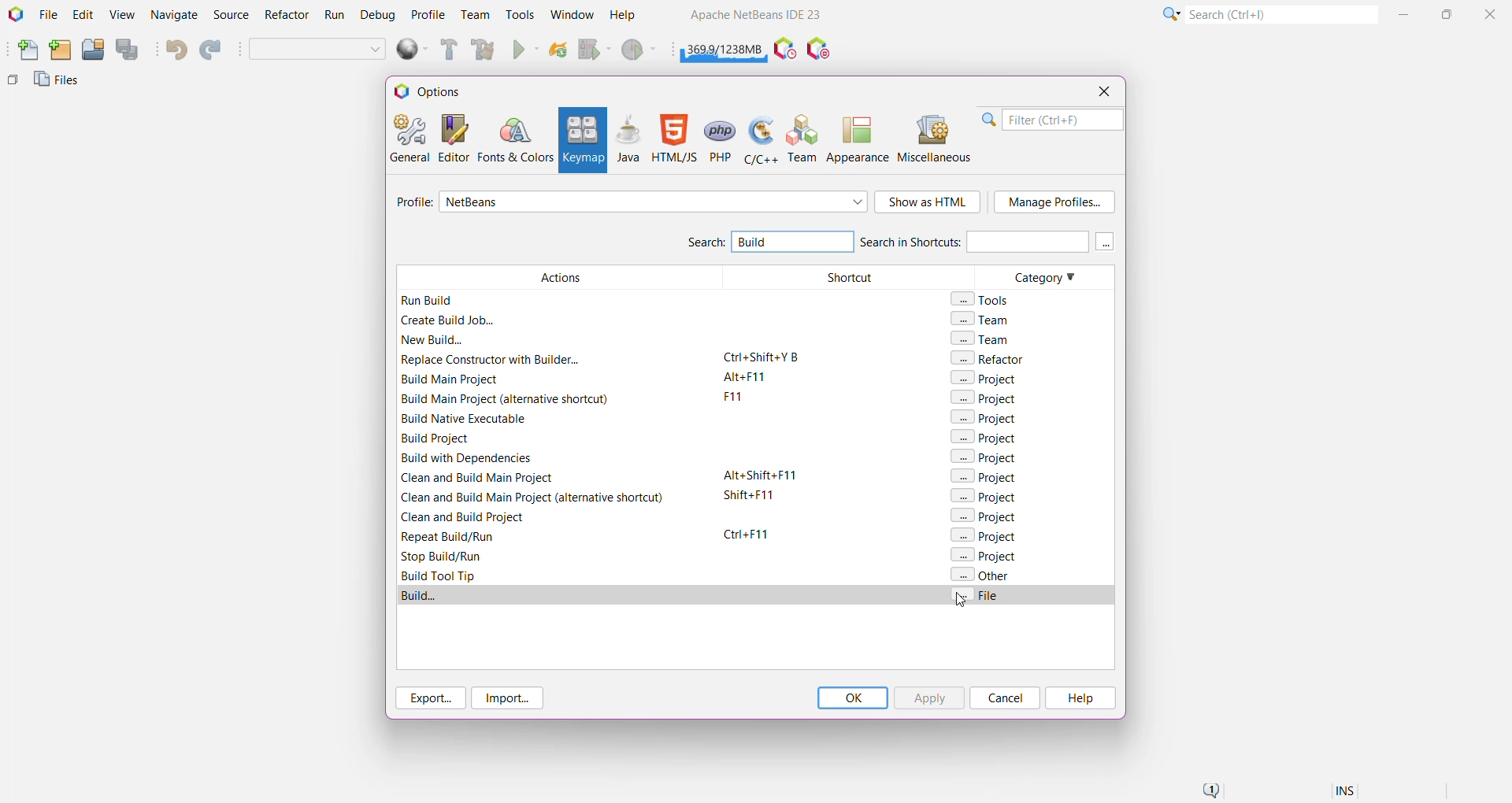 This screenshot has height=803, width=1512. Describe the element at coordinates (92, 50) in the screenshot. I see `Open Project` at that location.